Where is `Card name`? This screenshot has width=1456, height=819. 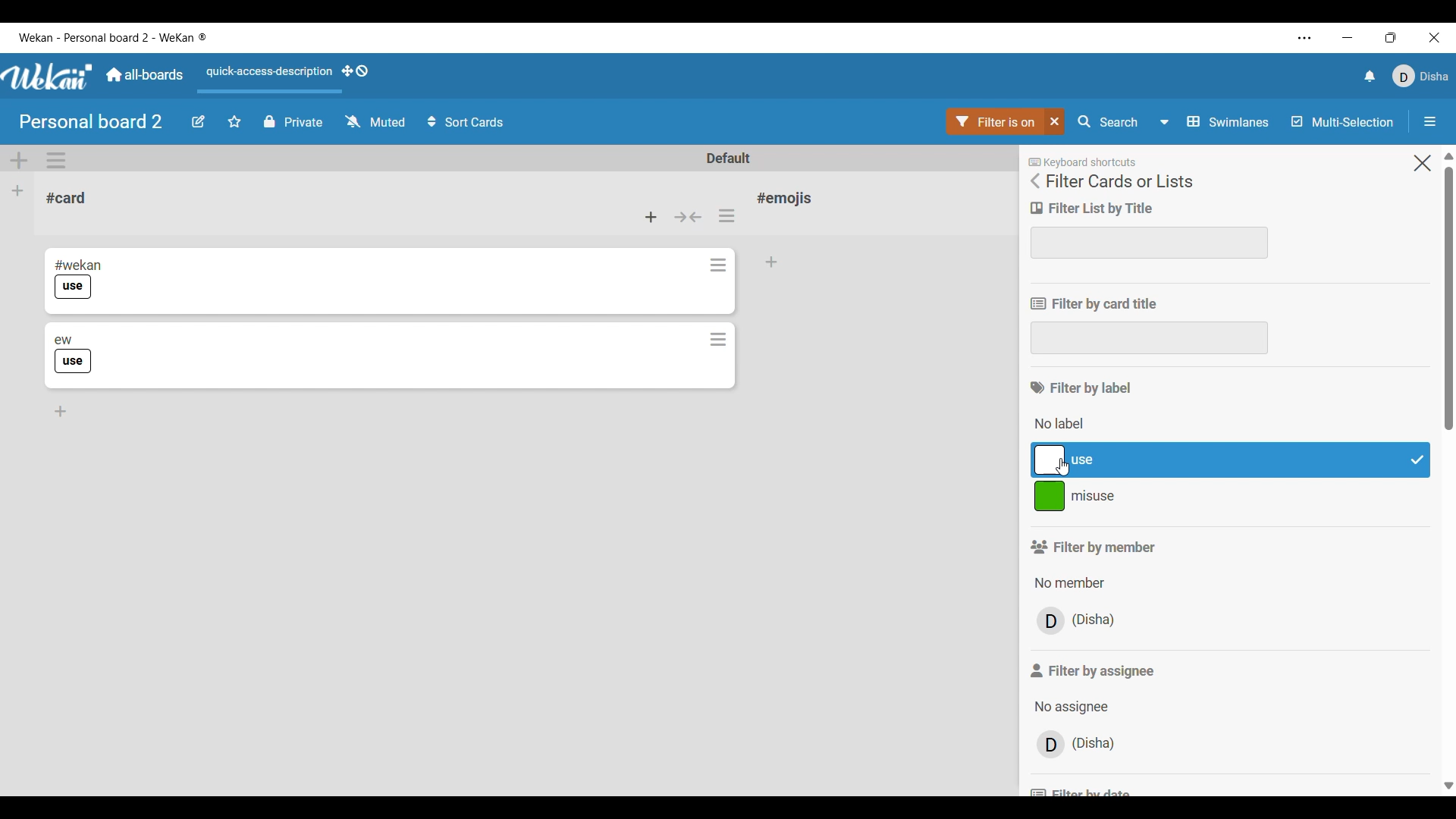
Card name is located at coordinates (66, 198).